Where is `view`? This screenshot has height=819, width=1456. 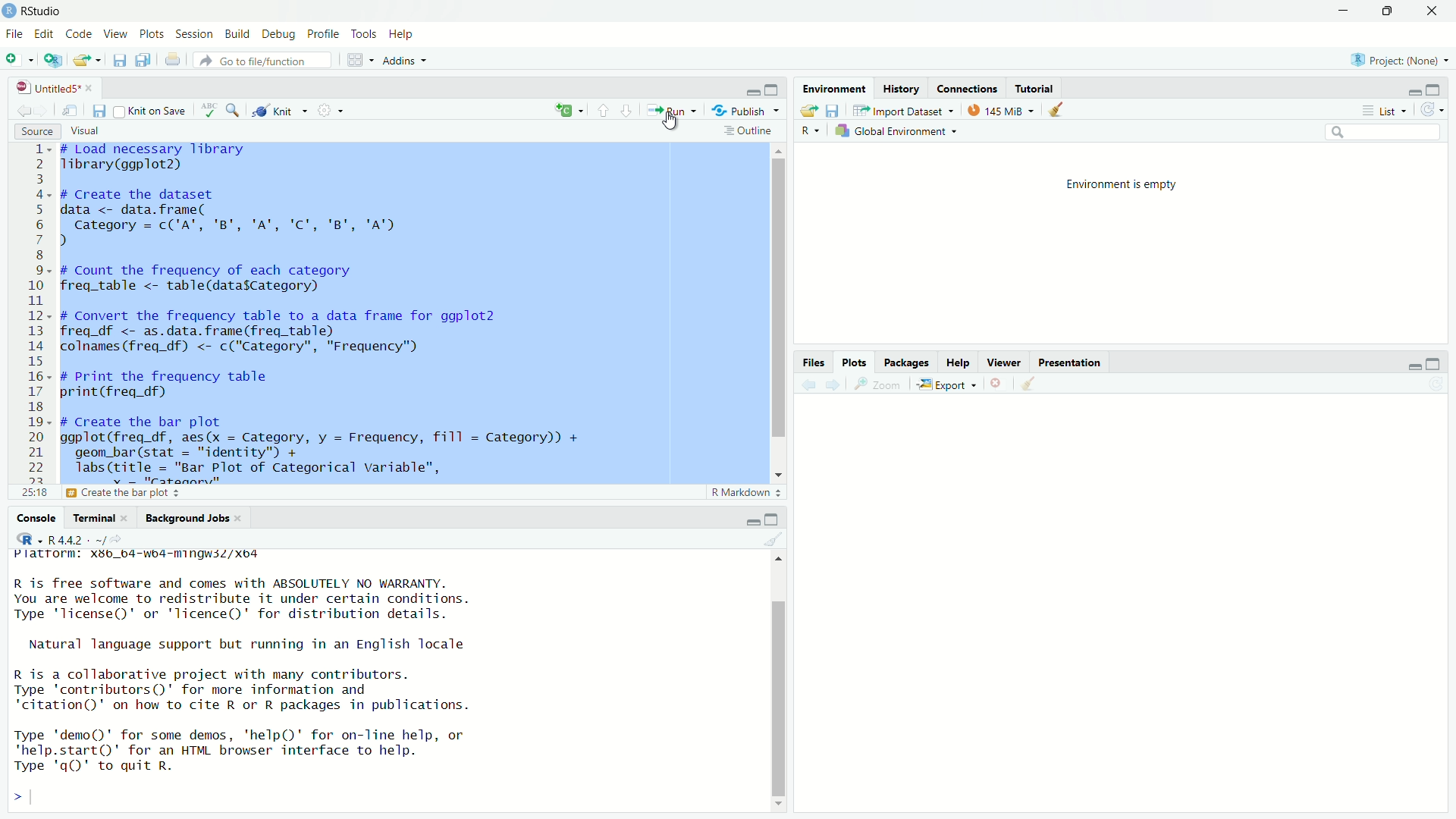 view is located at coordinates (117, 33).